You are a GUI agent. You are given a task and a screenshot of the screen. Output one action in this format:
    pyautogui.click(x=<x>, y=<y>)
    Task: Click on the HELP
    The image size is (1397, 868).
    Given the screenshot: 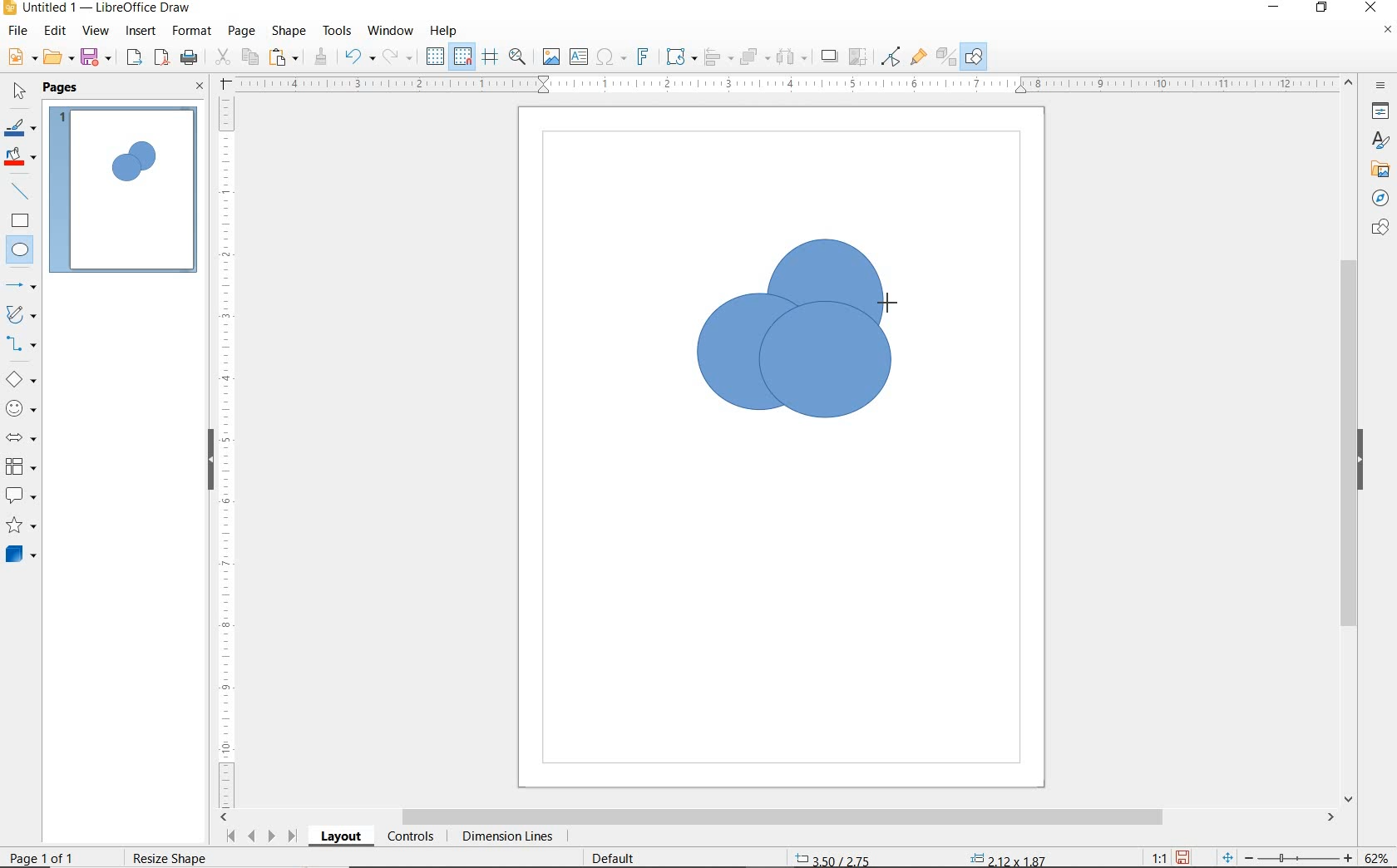 What is the action you would take?
    pyautogui.click(x=444, y=31)
    